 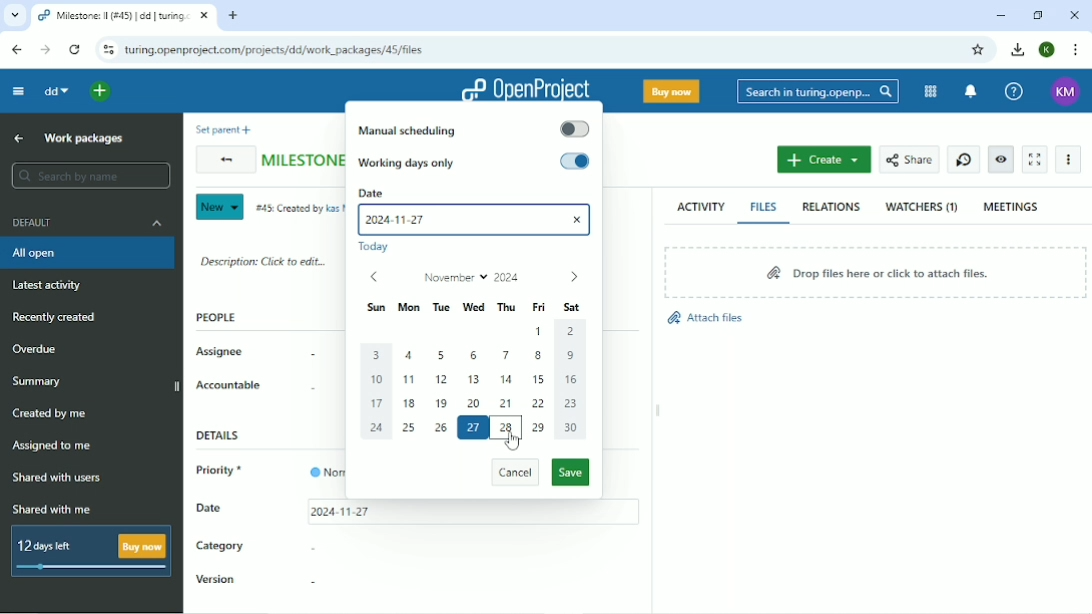 What do you see at coordinates (412, 129) in the screenshot?
I see `Manual scheduling` at bounding box center [412, 129].